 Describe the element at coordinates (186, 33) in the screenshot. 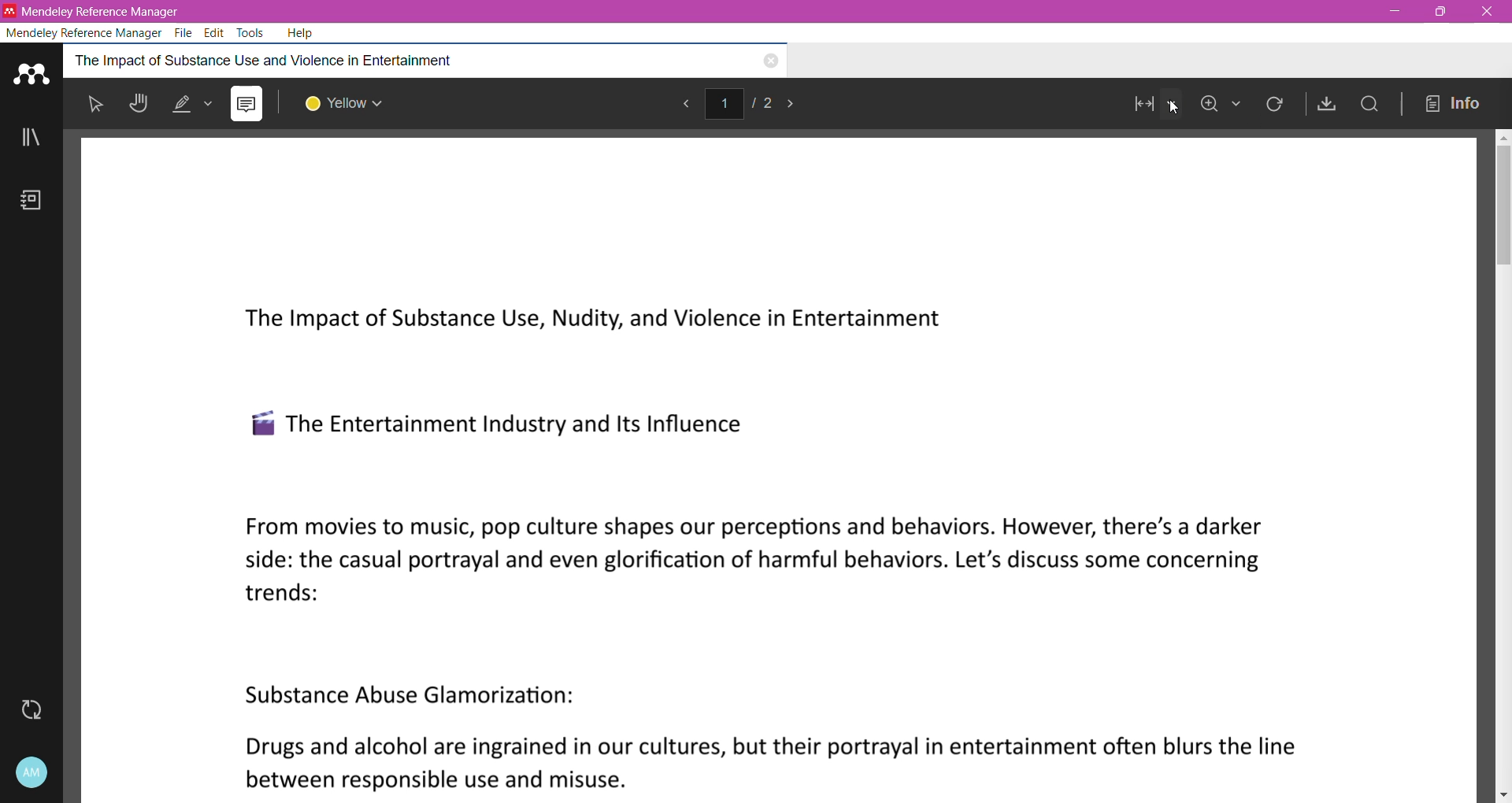

I see `File` at that location.